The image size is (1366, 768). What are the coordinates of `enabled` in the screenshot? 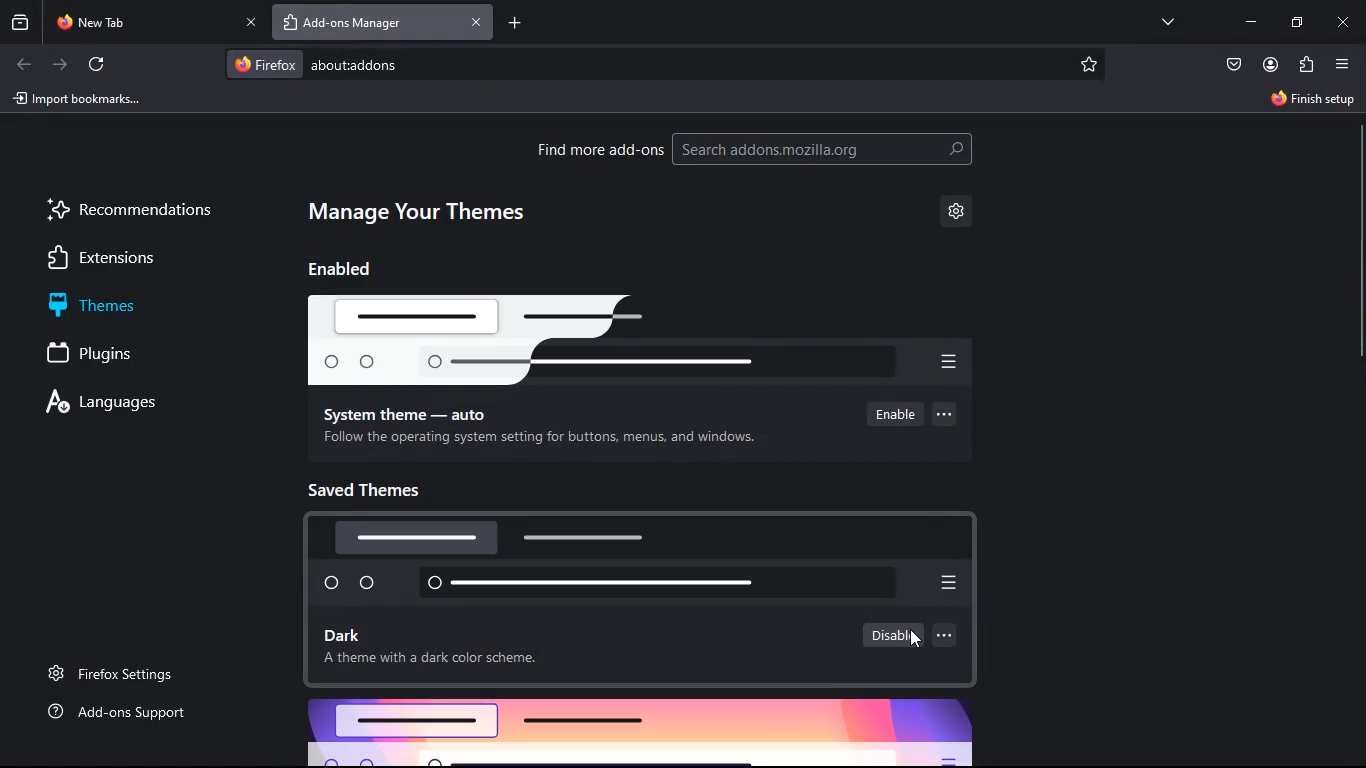 It's located at (360, 272).